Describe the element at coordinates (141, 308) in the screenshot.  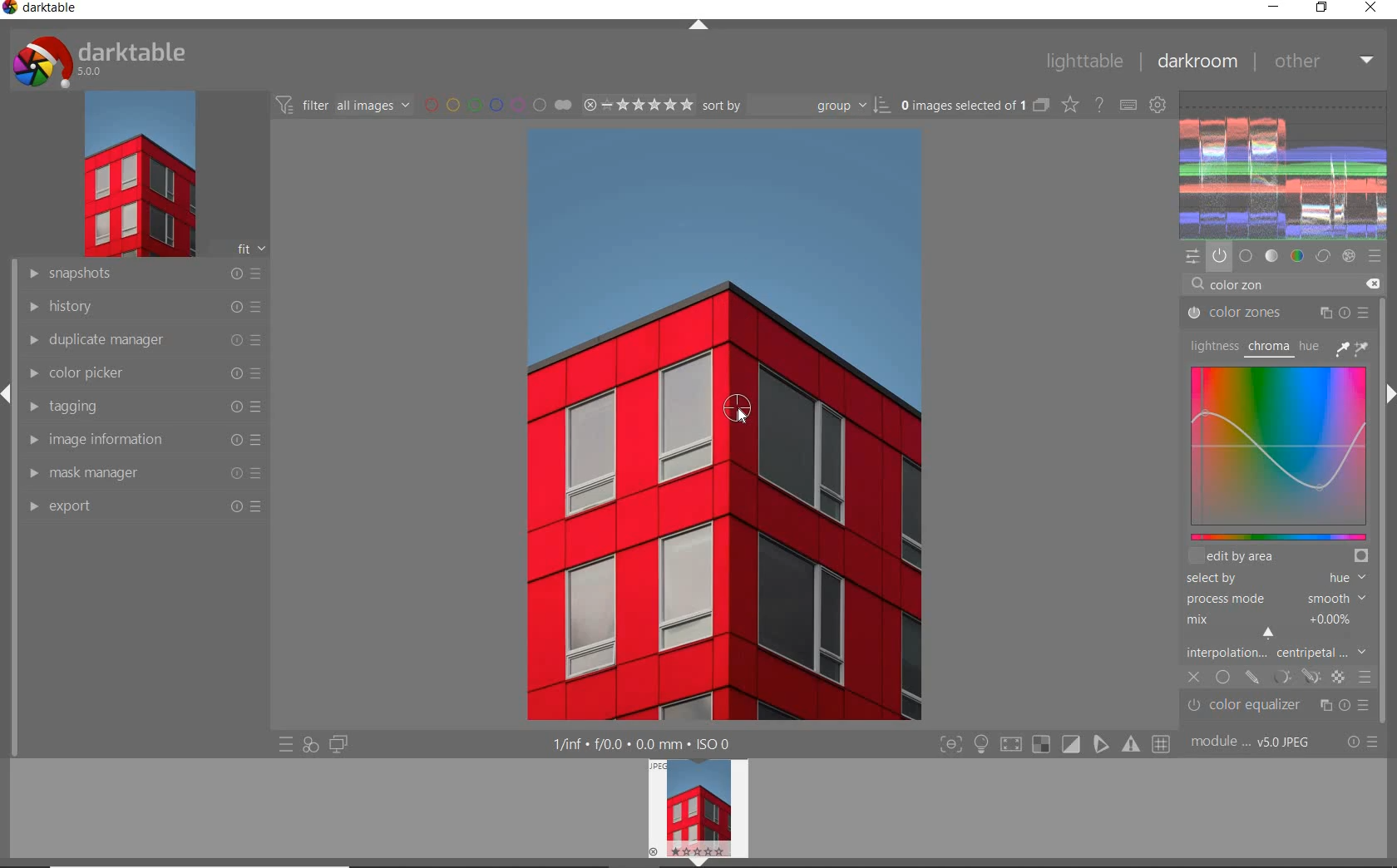
I see `history` at that location.